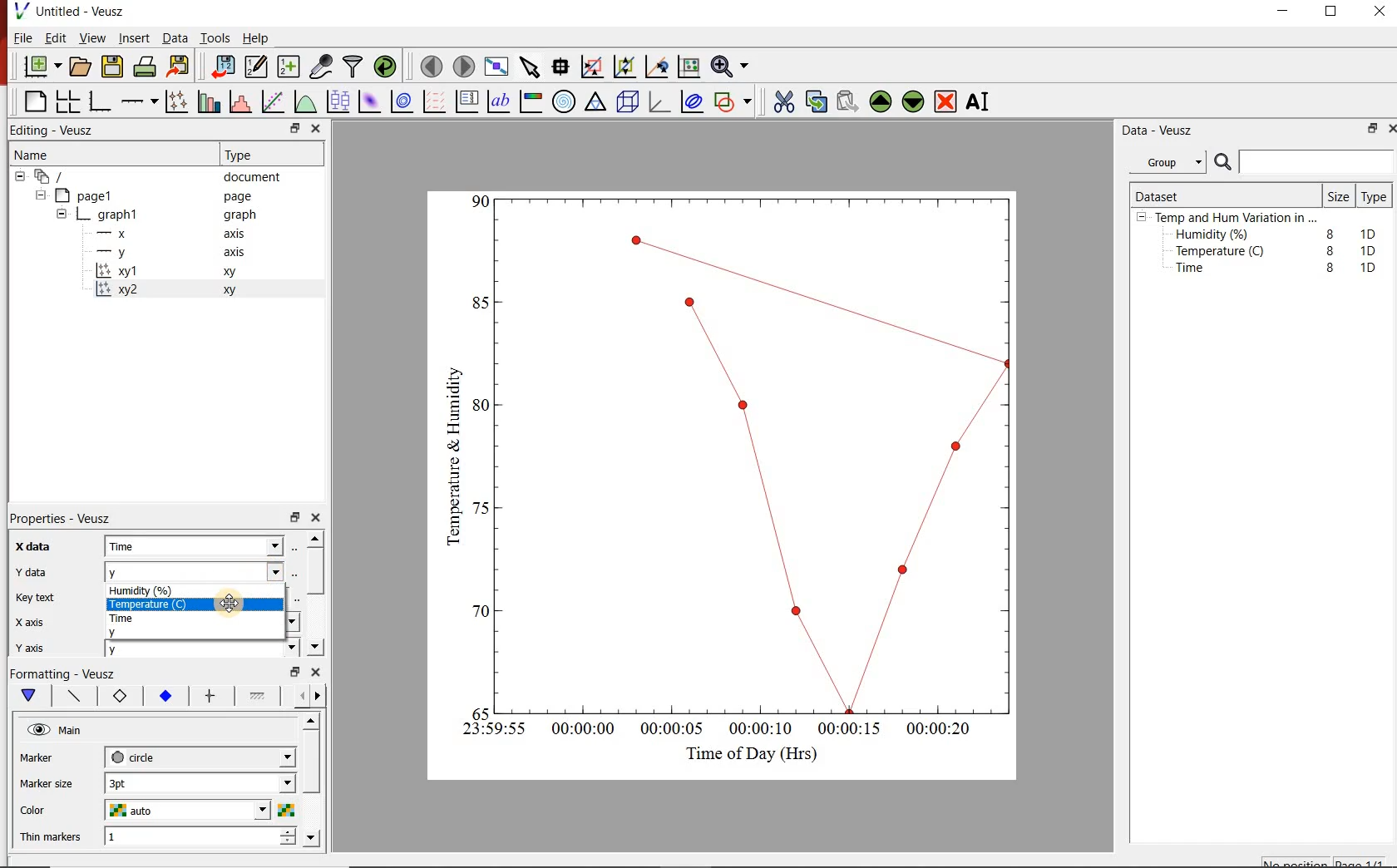 Image resolution: width=1397 pixels, height=868 pixels. What do you see at coordinates (67, 675) in the screenshot?
I see `Formatting - Veusz` at bounding box center [67, 675].